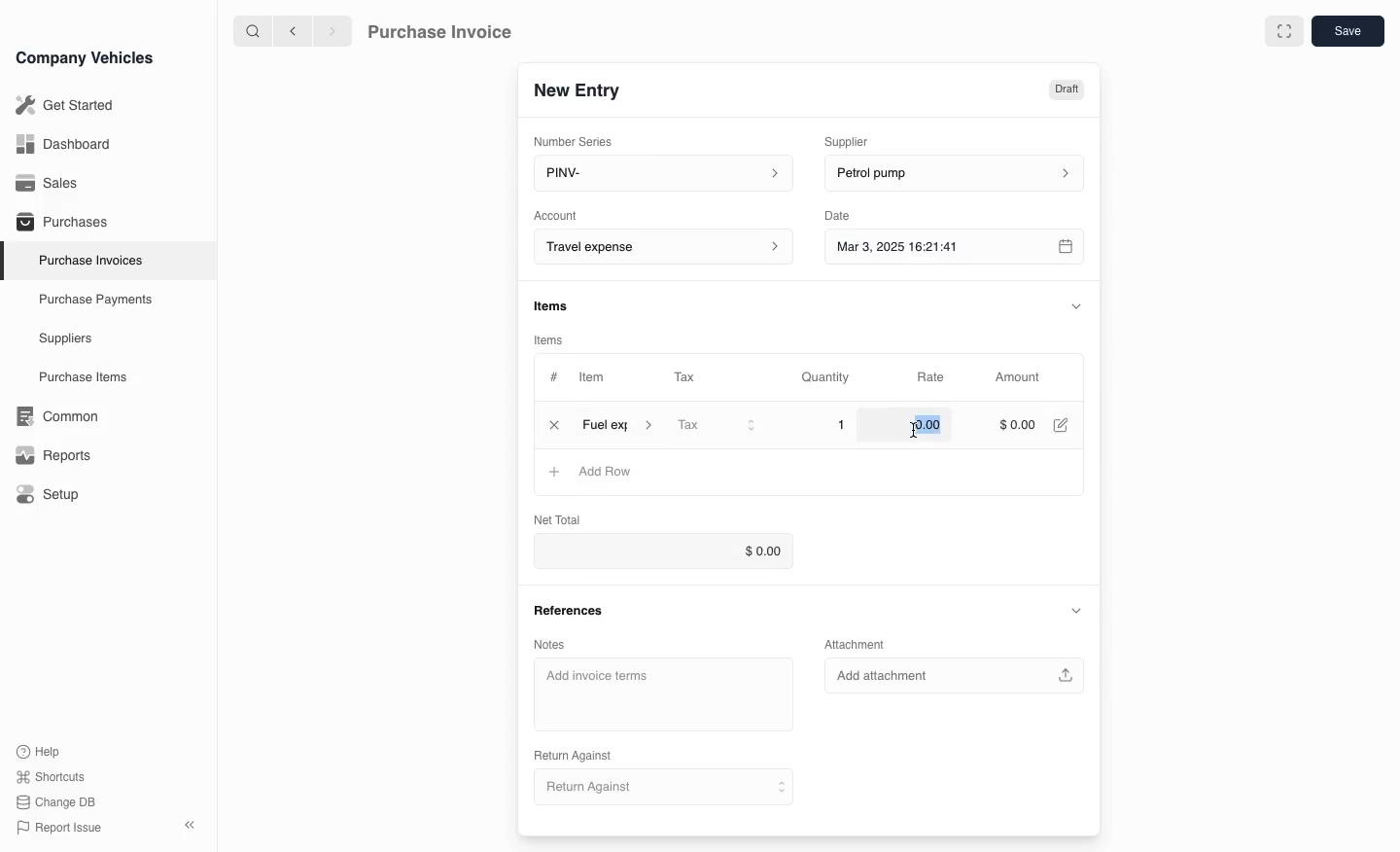 The height and width of the screenshot is (852, 1400). Describe the element at coordinates (556, 214) in the screenshot. I see `Account` at that location.